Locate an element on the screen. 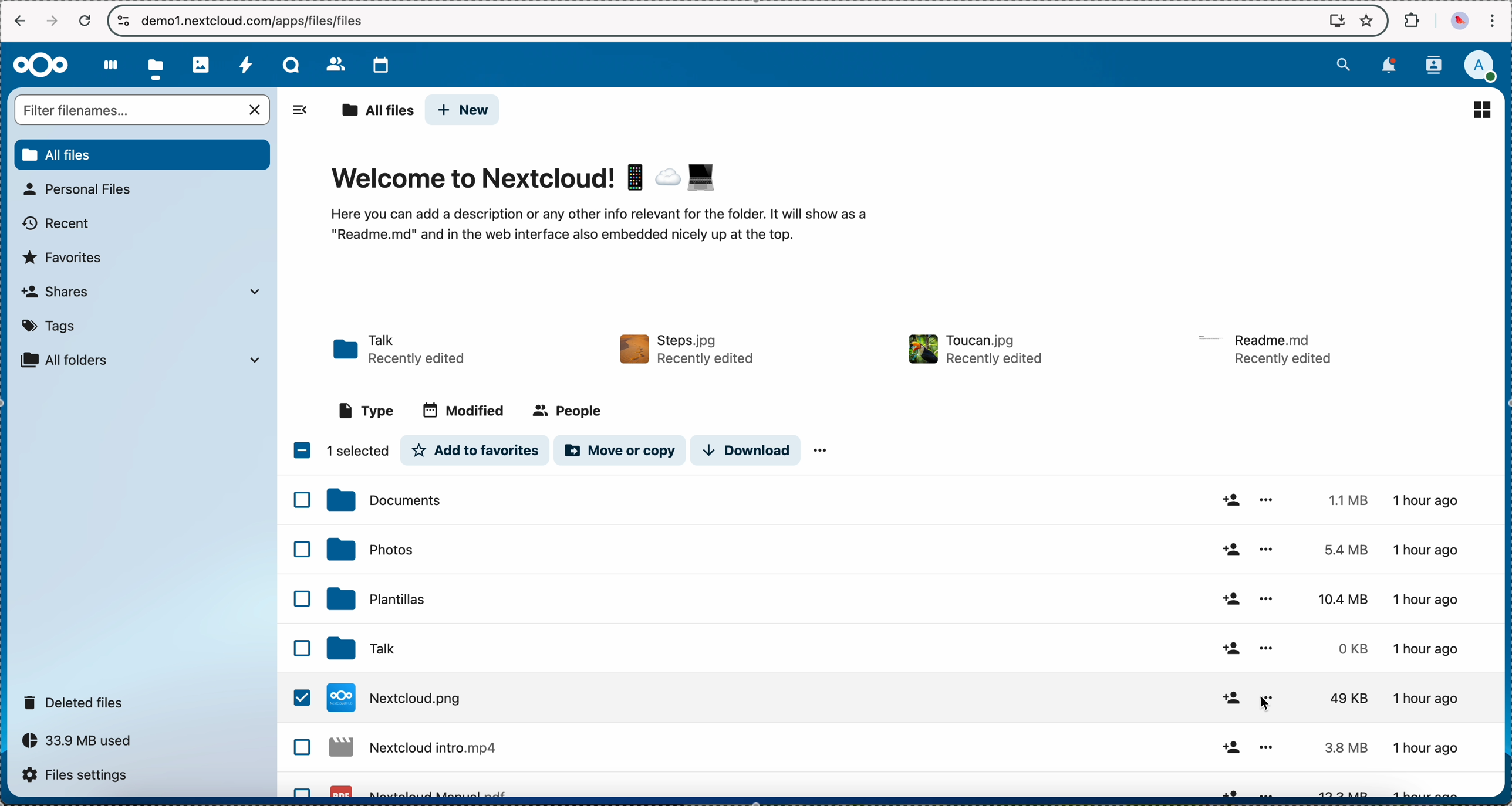 This screenshot has width=1512, height=806. modified is located at coordinates (464, 412).